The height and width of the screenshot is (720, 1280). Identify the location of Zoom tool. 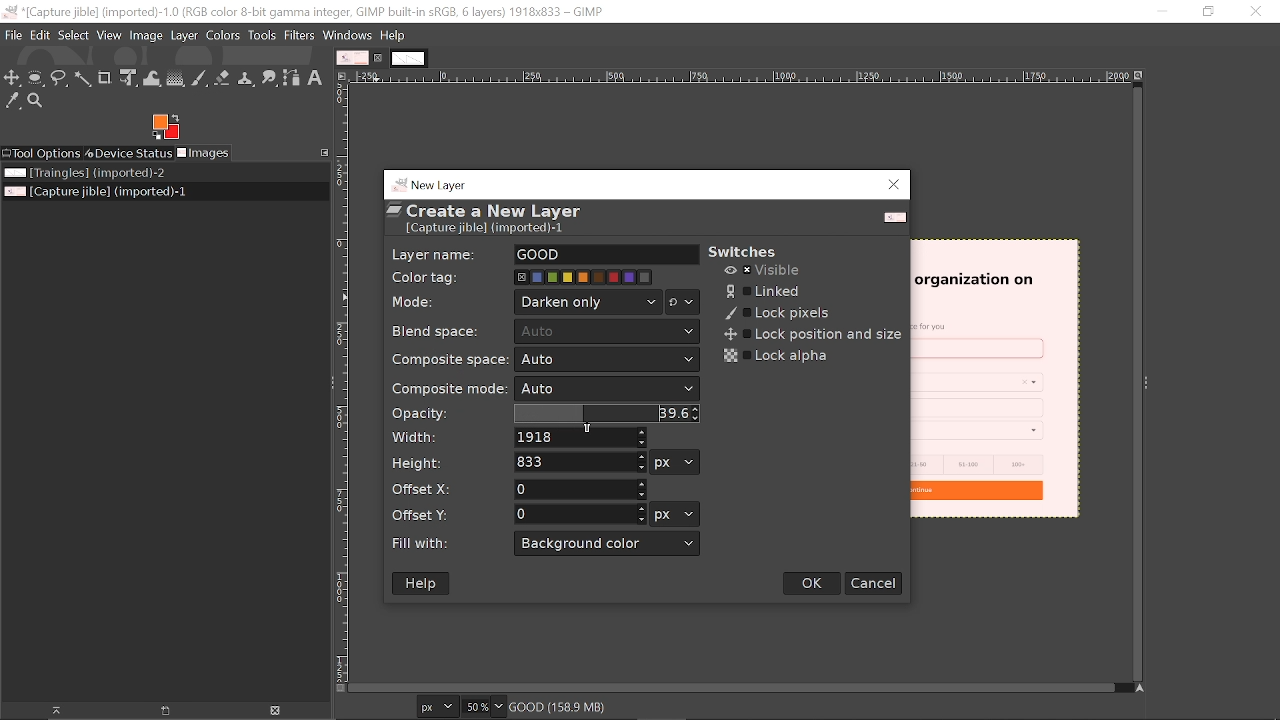
(37, 101).